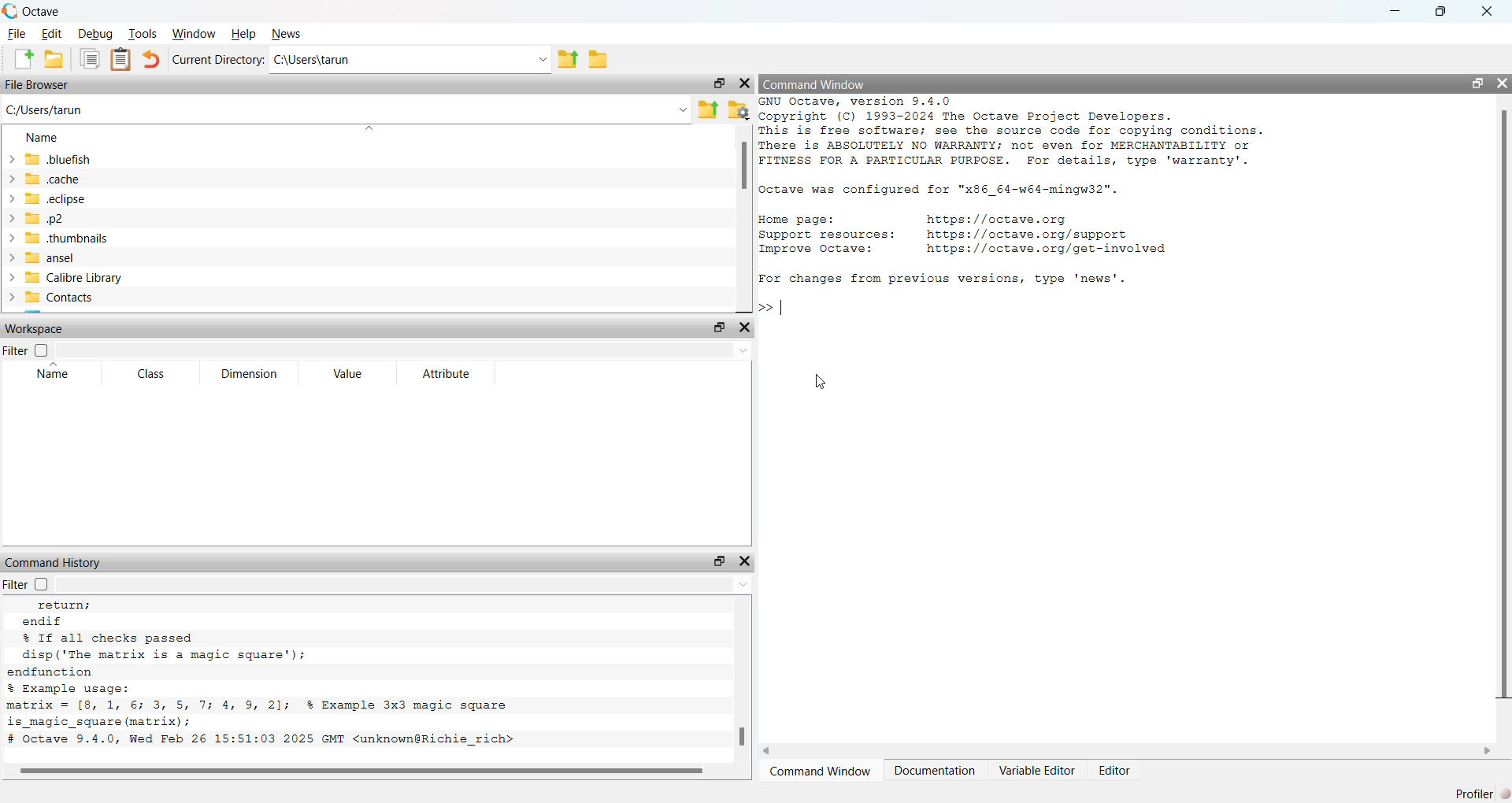  What do you see at coordinates (54, 59) in the screenshot?
I see `New folder` at bounding box center [54, 59].